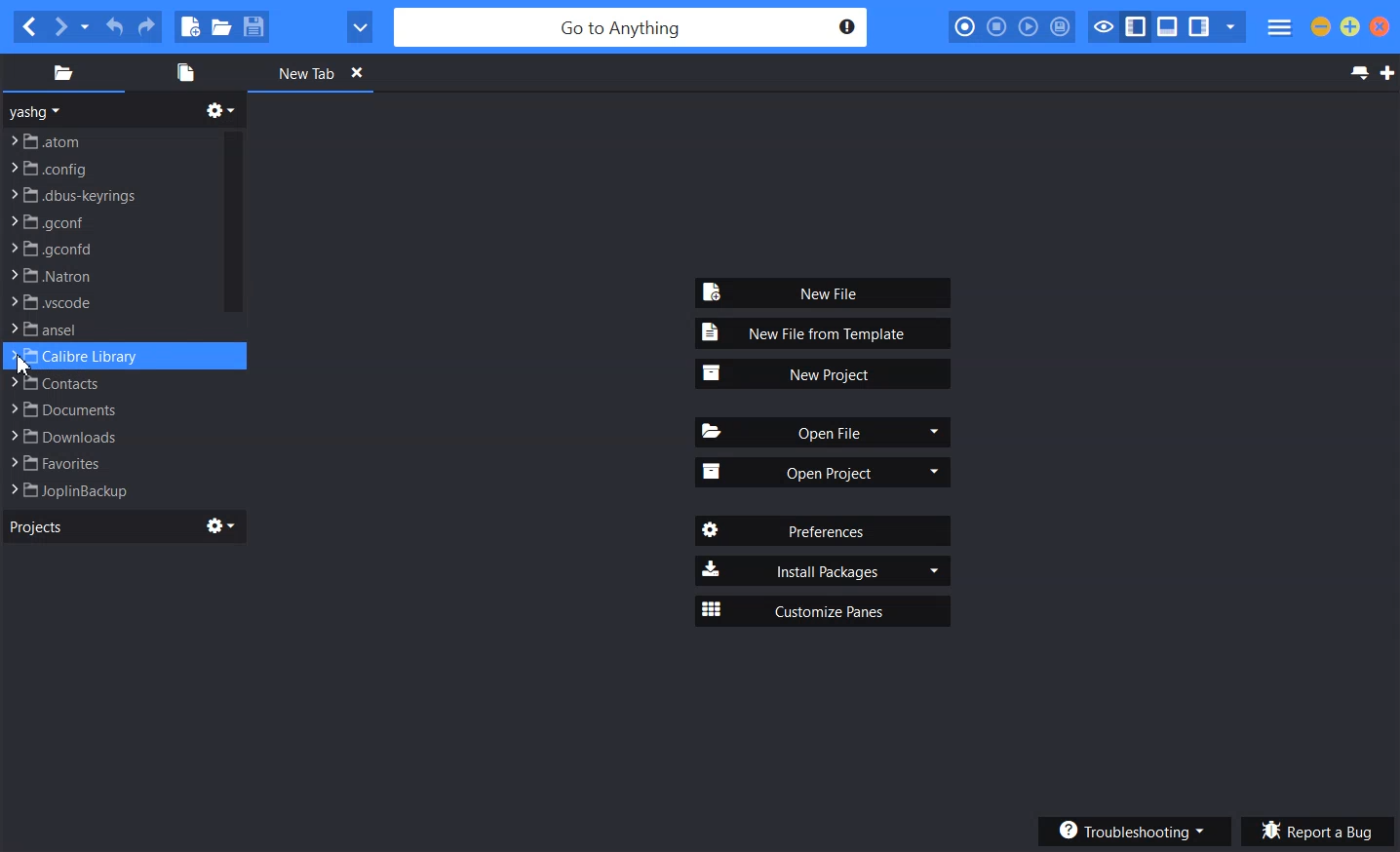 The height and width of the screenshot is (852, 1400). What do you see at coordinates (107, 385) in the screenshot?
I see `File` at bounding box center [107, 385].